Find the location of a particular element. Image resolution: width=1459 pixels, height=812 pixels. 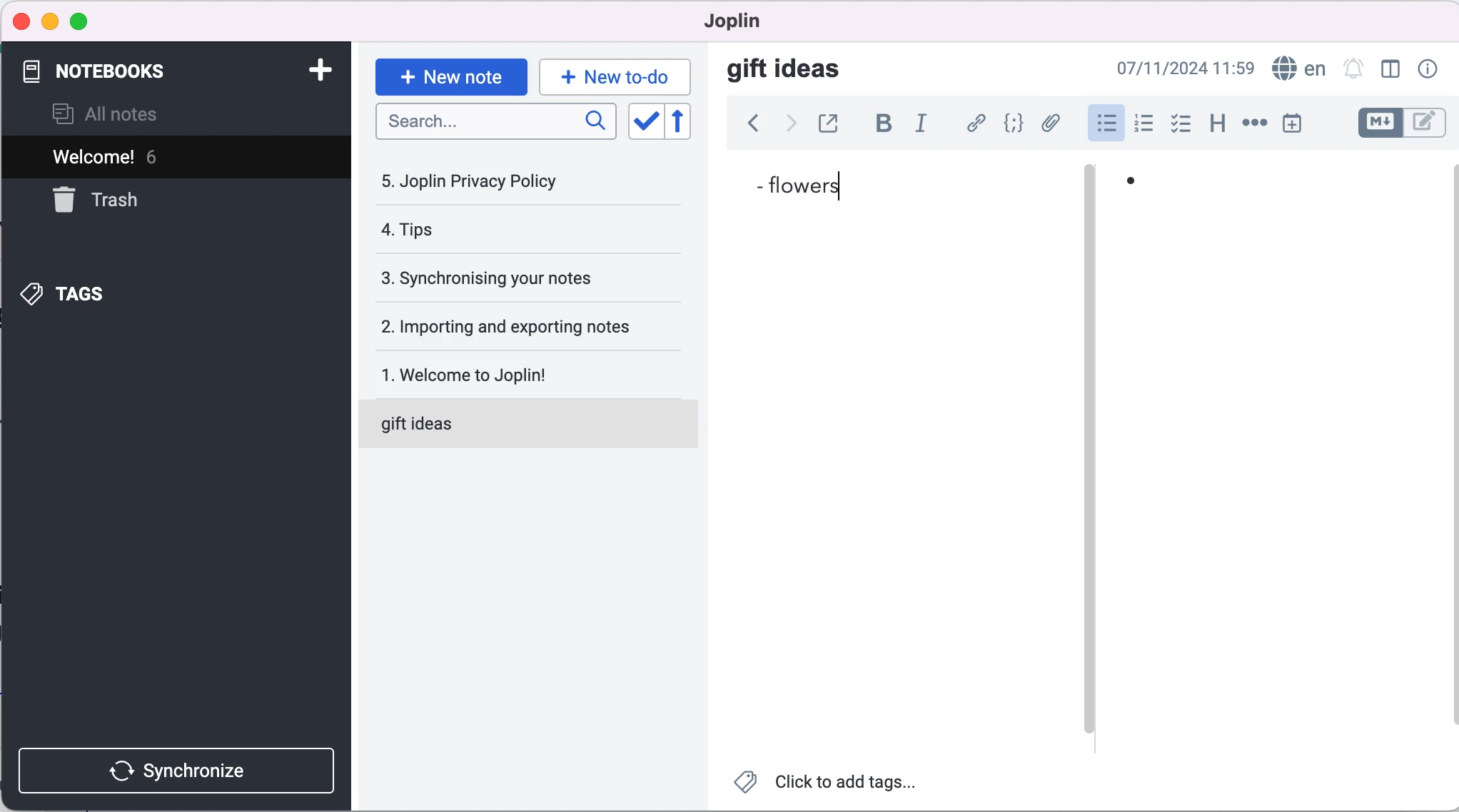

checkbox is located at coordinates (1183, 123).